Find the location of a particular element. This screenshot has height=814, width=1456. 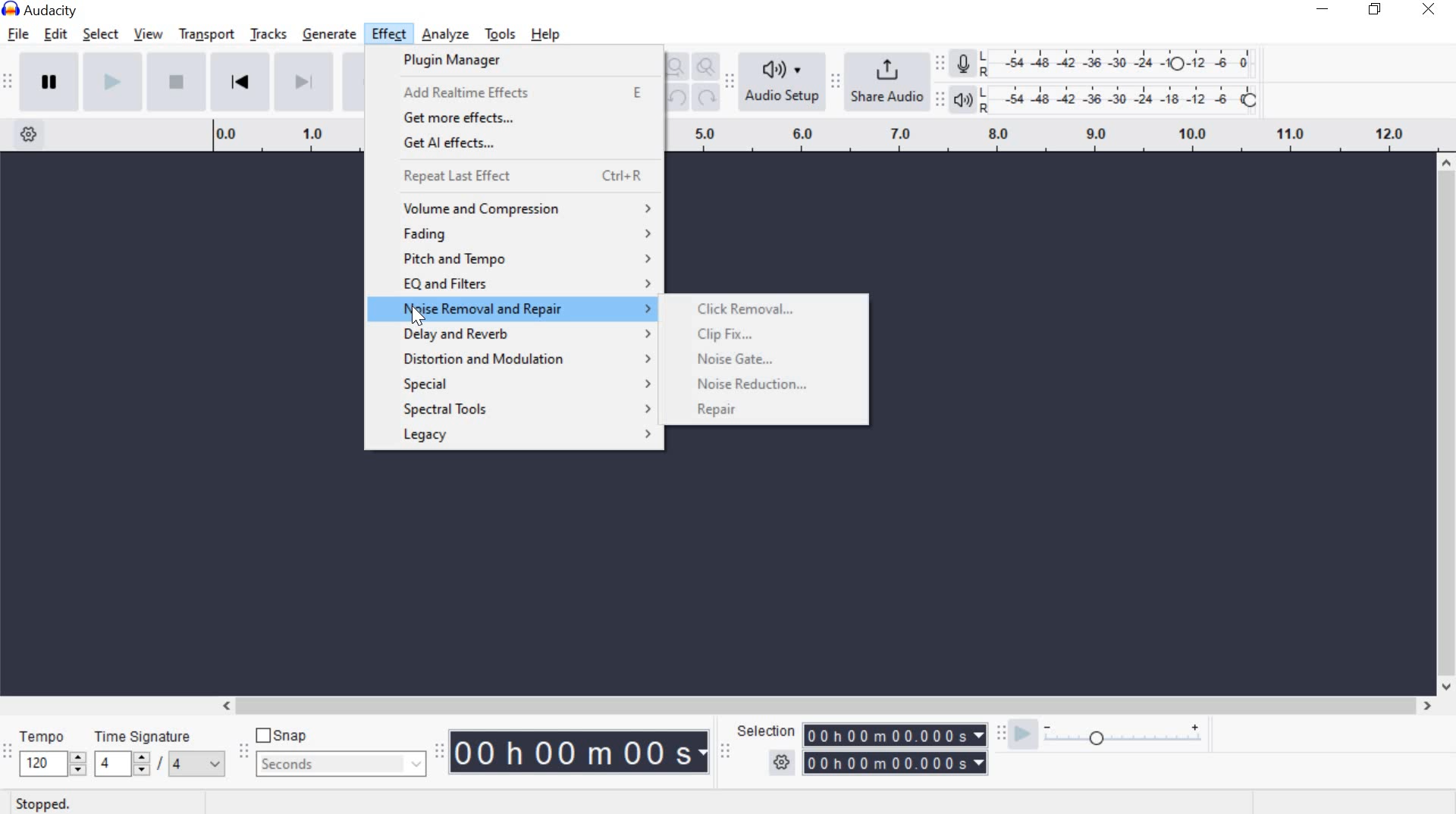

Timeline Options is located at coordinates (26, 133).